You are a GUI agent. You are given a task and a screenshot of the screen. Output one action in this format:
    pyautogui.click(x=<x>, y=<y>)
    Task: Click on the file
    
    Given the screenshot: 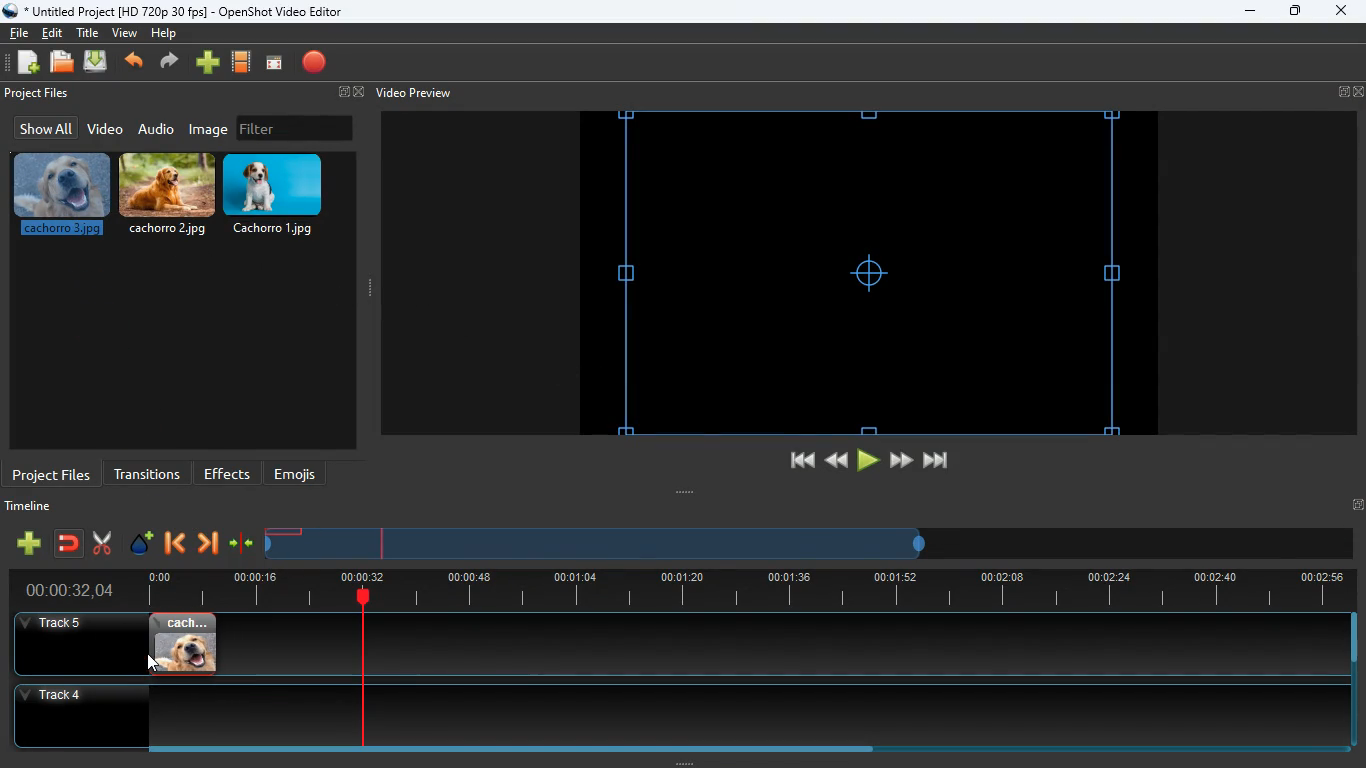 What is the action you would take?
    pyautogui.click(x=19, y=31)
    